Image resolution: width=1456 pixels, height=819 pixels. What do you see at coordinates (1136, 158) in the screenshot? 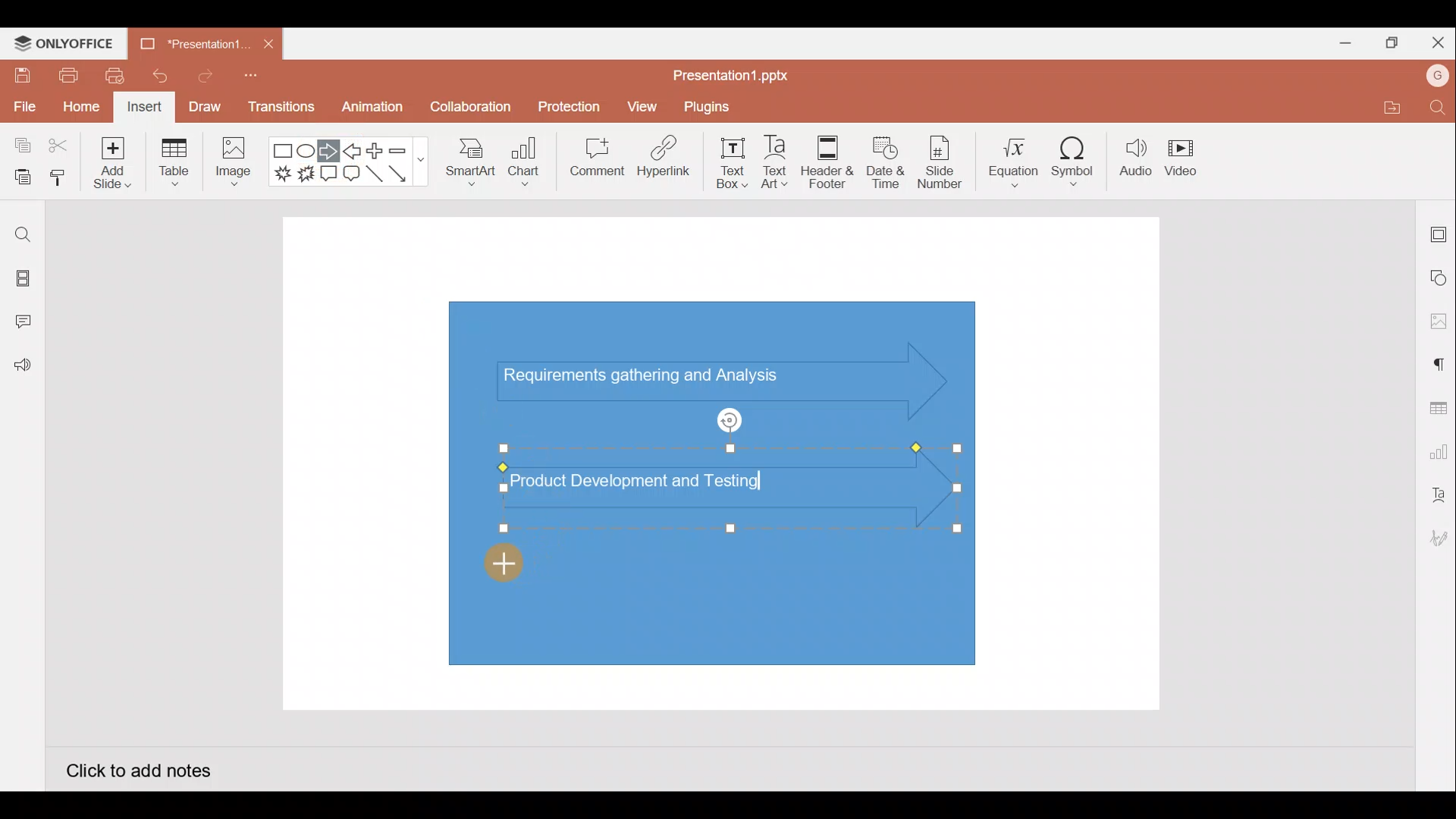
I see `Audio` at bounding box center [1136, 158].